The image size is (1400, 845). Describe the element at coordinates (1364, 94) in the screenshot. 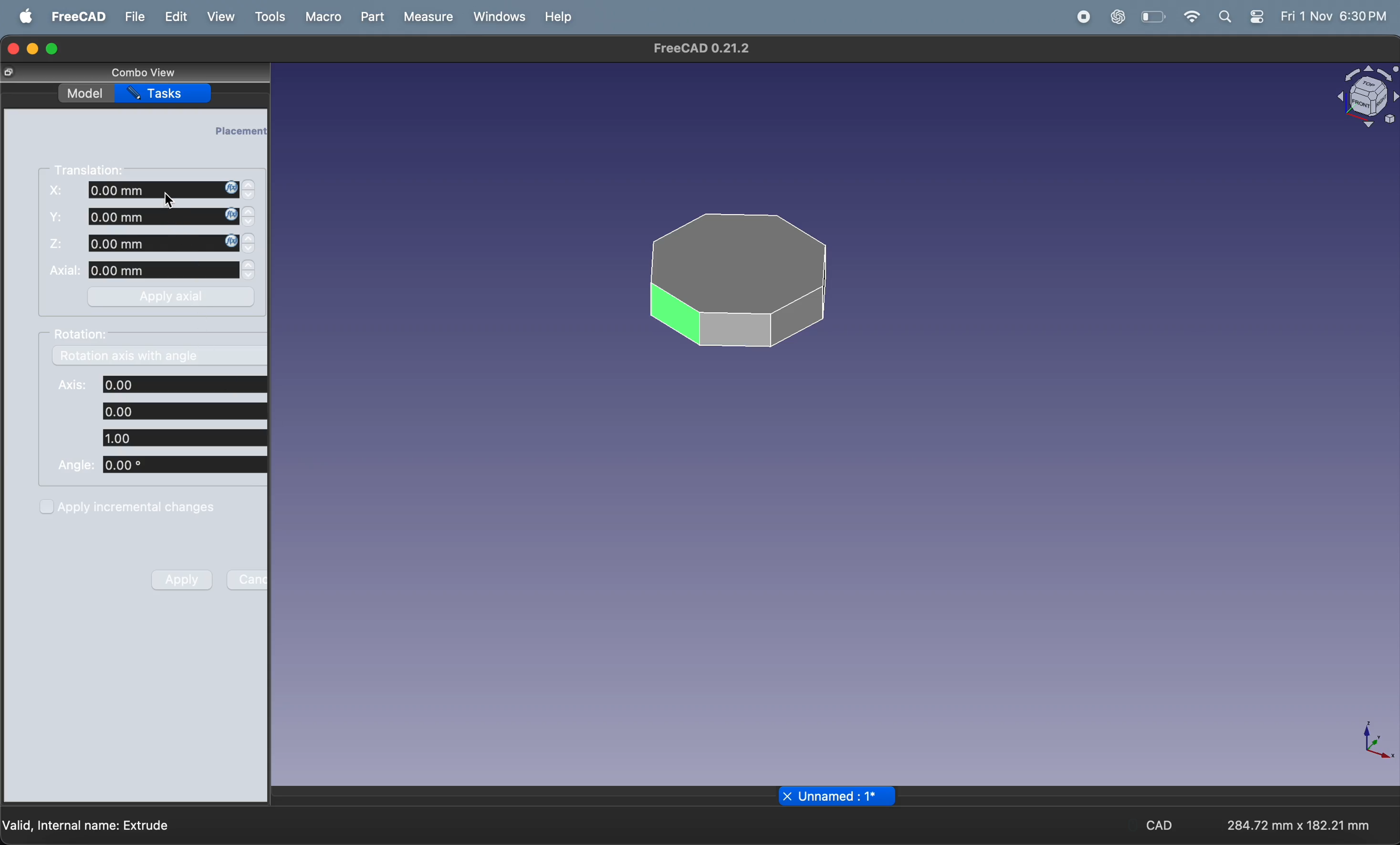

I see `object view` at that location.